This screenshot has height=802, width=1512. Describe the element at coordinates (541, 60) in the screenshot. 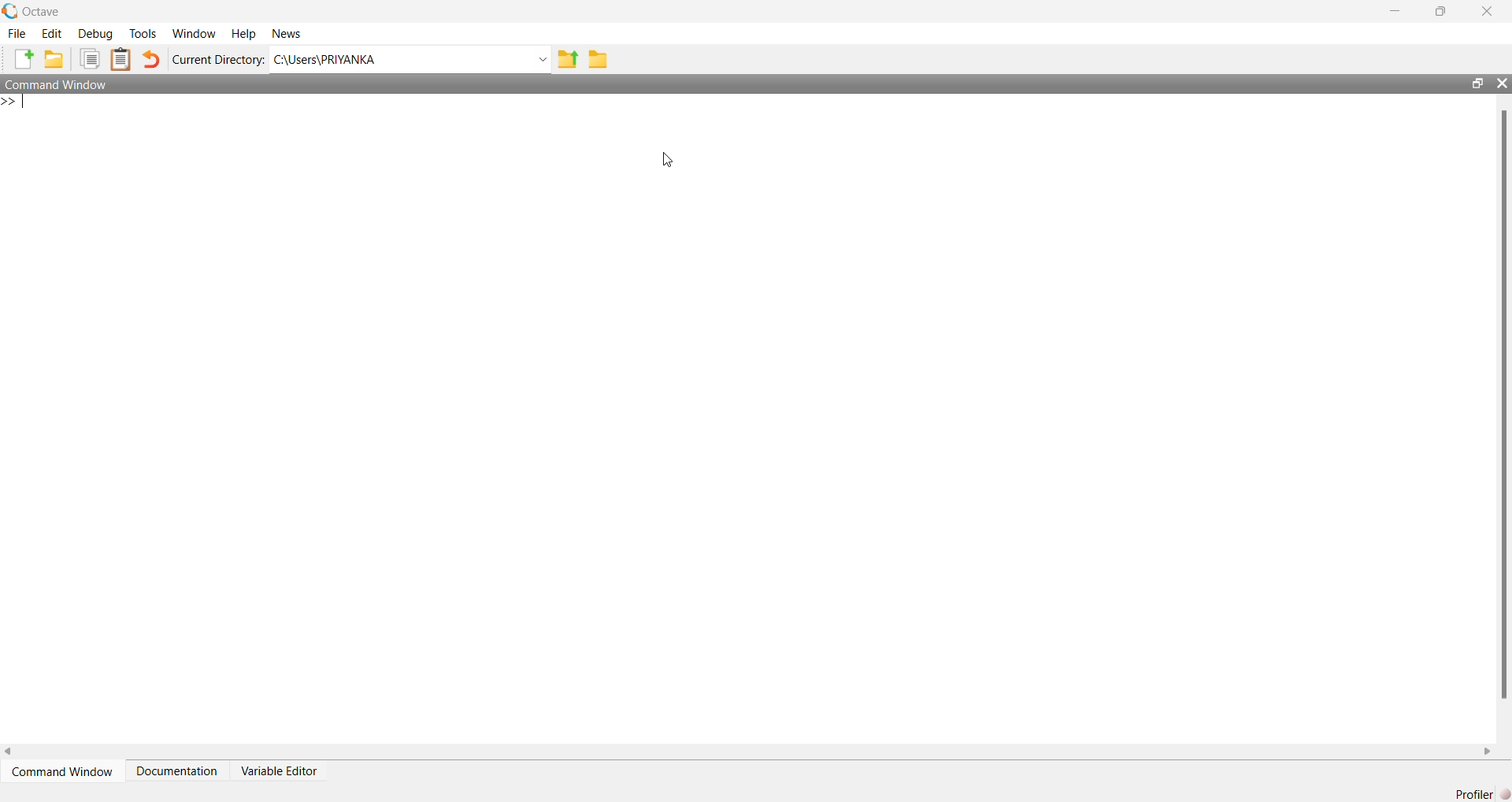

I see `dropdown` at that location.